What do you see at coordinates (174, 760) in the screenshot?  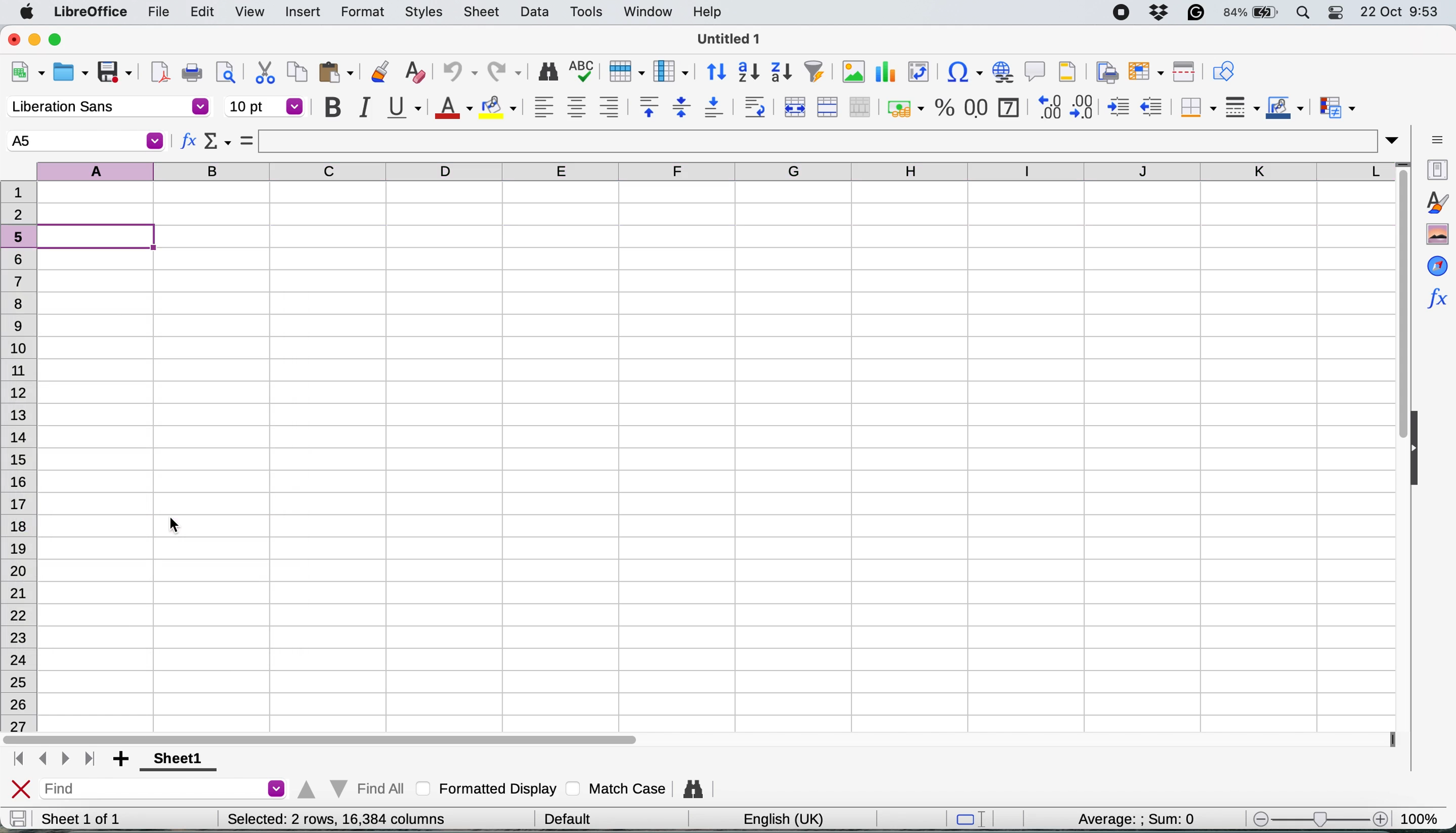 I see `sheet 1` at bounding box center [174, 760].